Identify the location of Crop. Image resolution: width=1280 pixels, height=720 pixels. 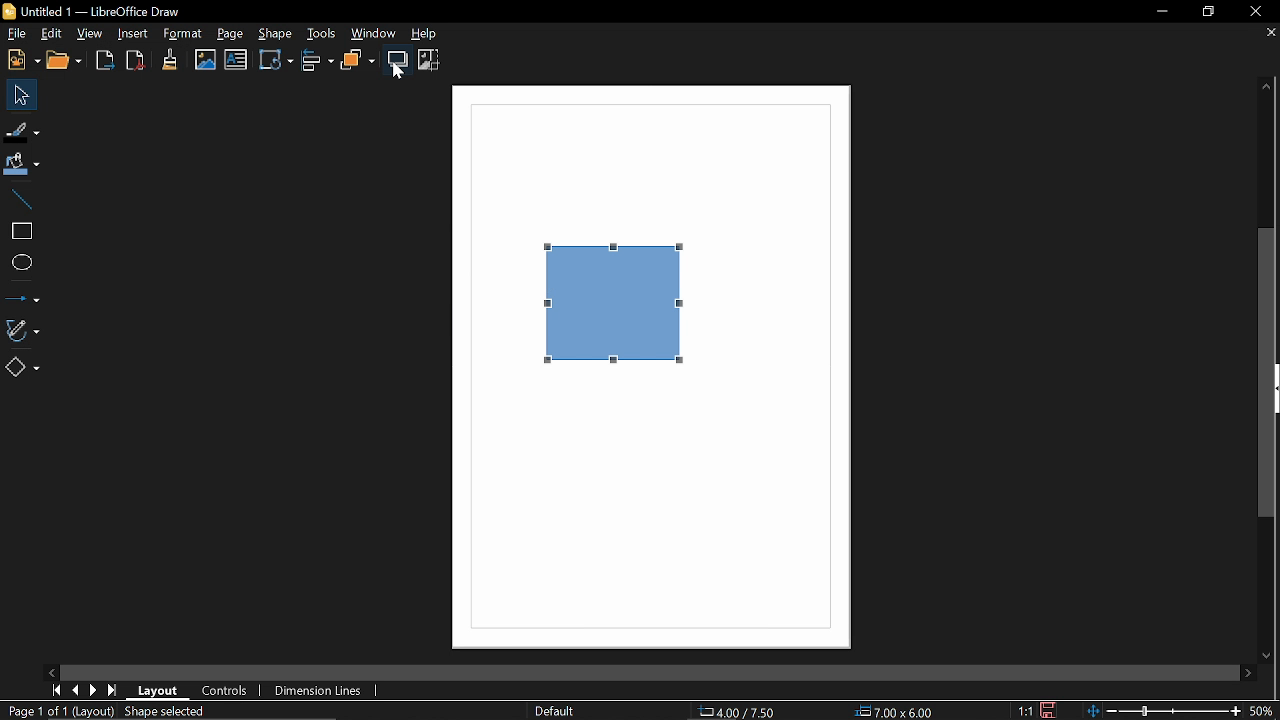
(429, 60).